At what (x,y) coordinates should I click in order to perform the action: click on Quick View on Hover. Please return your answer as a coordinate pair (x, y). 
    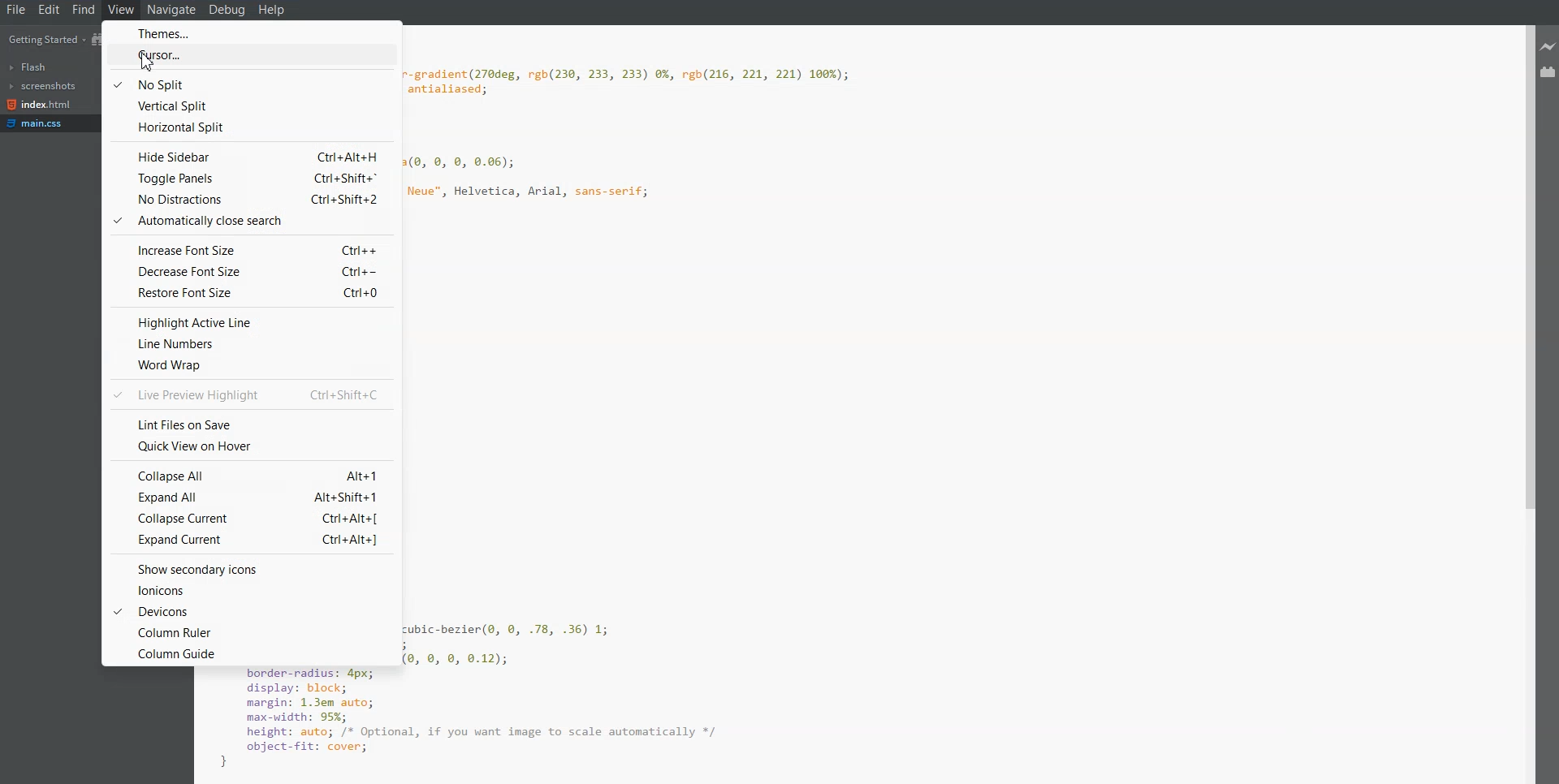
    Looking at the image, I should click on (251, 446).